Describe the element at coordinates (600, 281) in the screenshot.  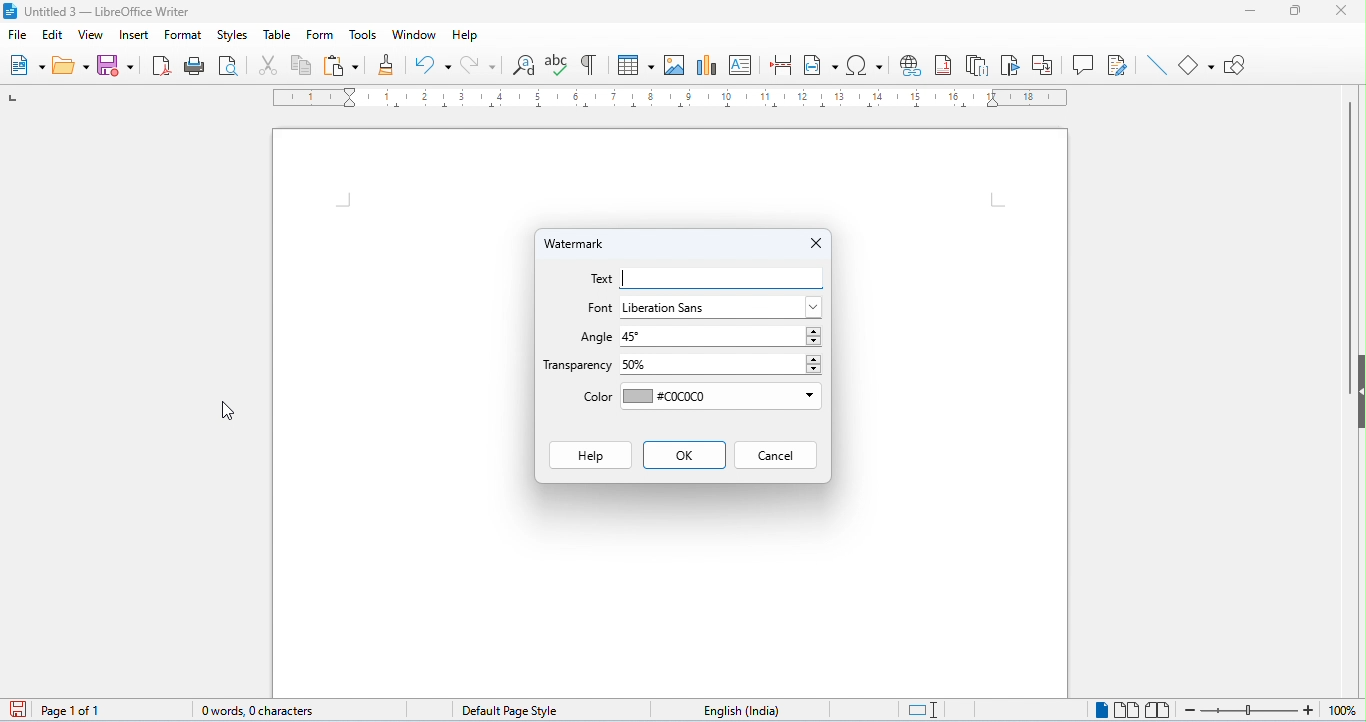
I see `text` at that location.